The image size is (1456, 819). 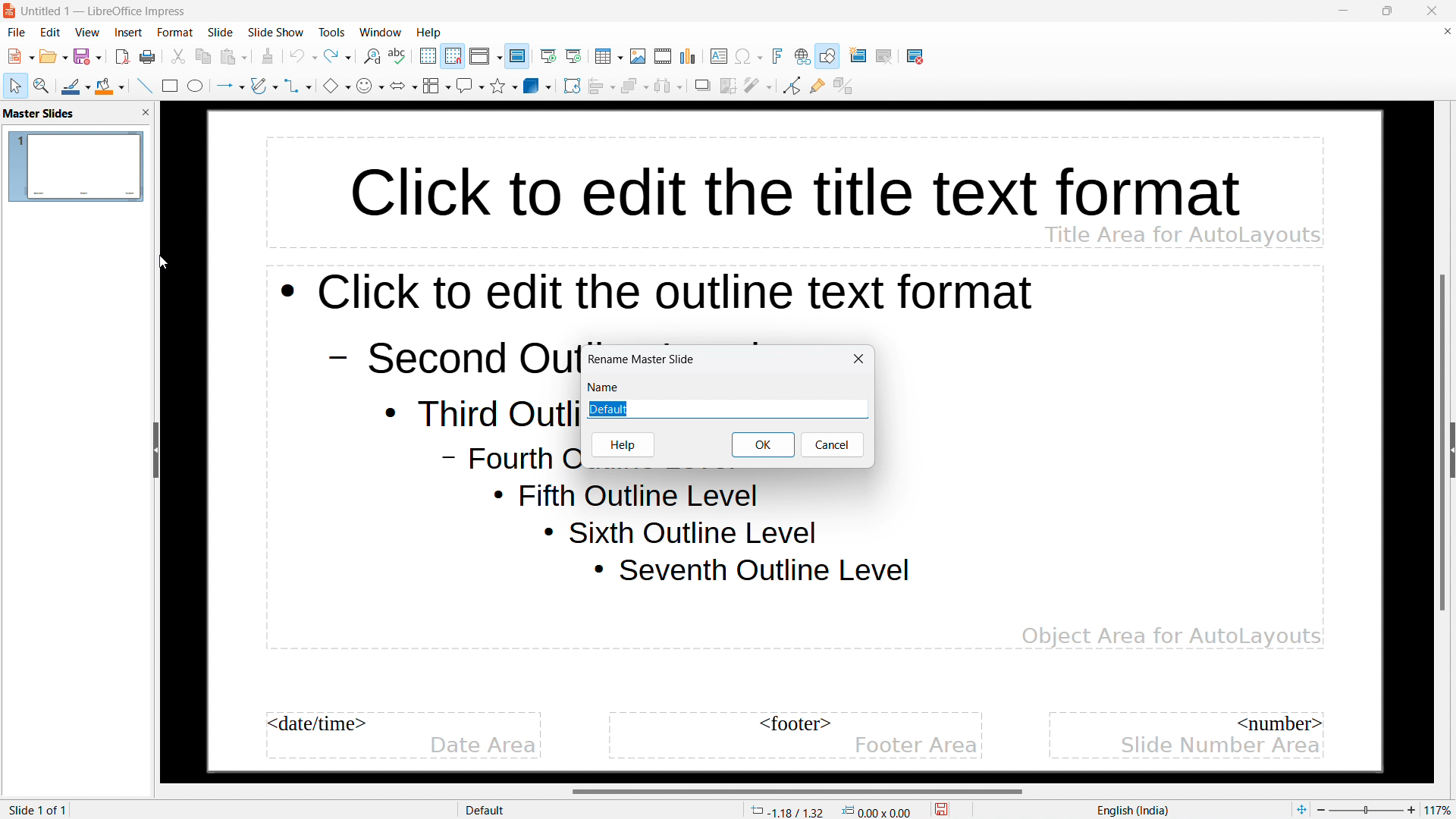 I want to click on display views, so click(x=485, y=56).